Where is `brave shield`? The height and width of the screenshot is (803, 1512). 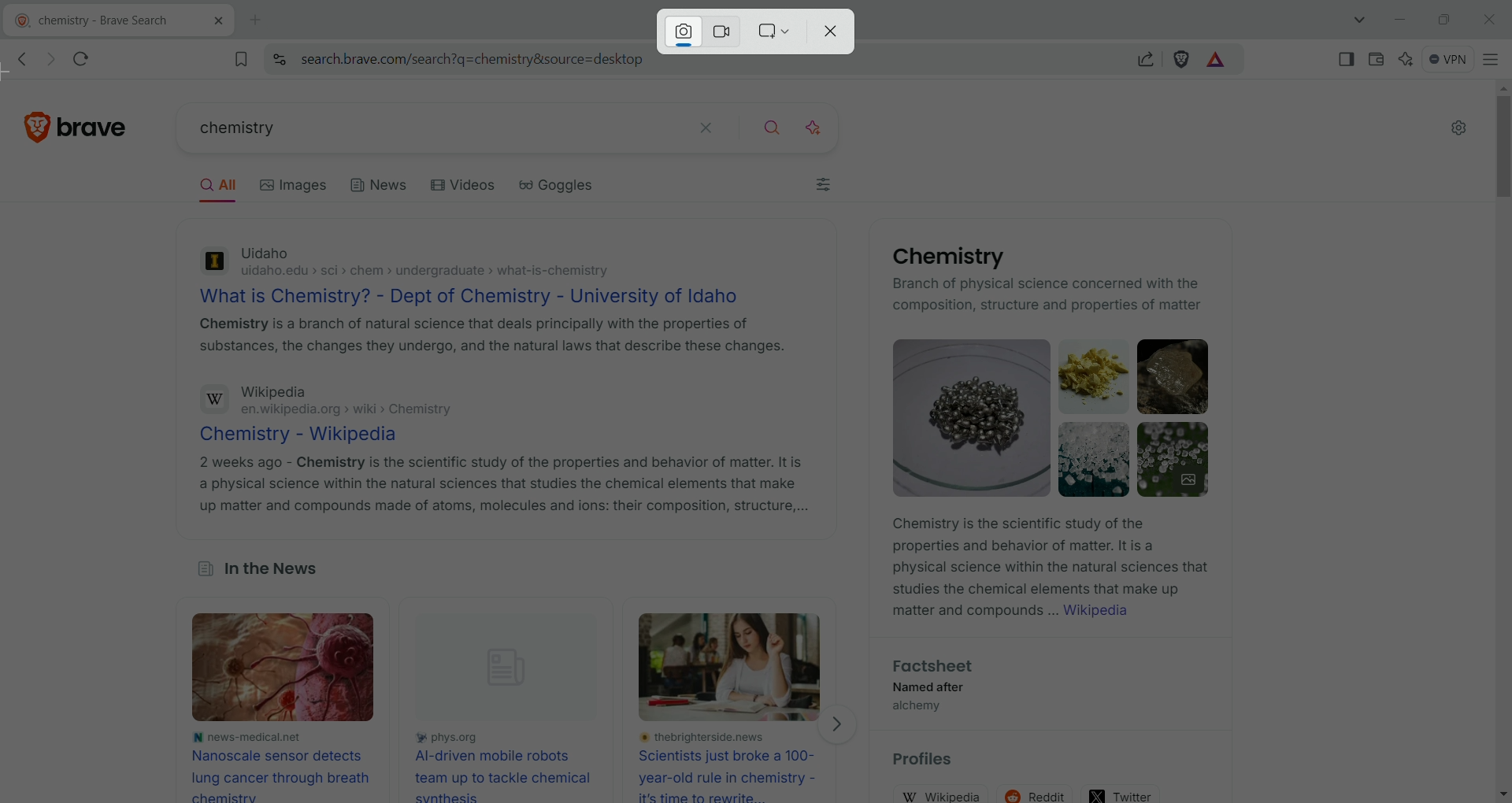 brave shield is located at coordinates (1182, 59).